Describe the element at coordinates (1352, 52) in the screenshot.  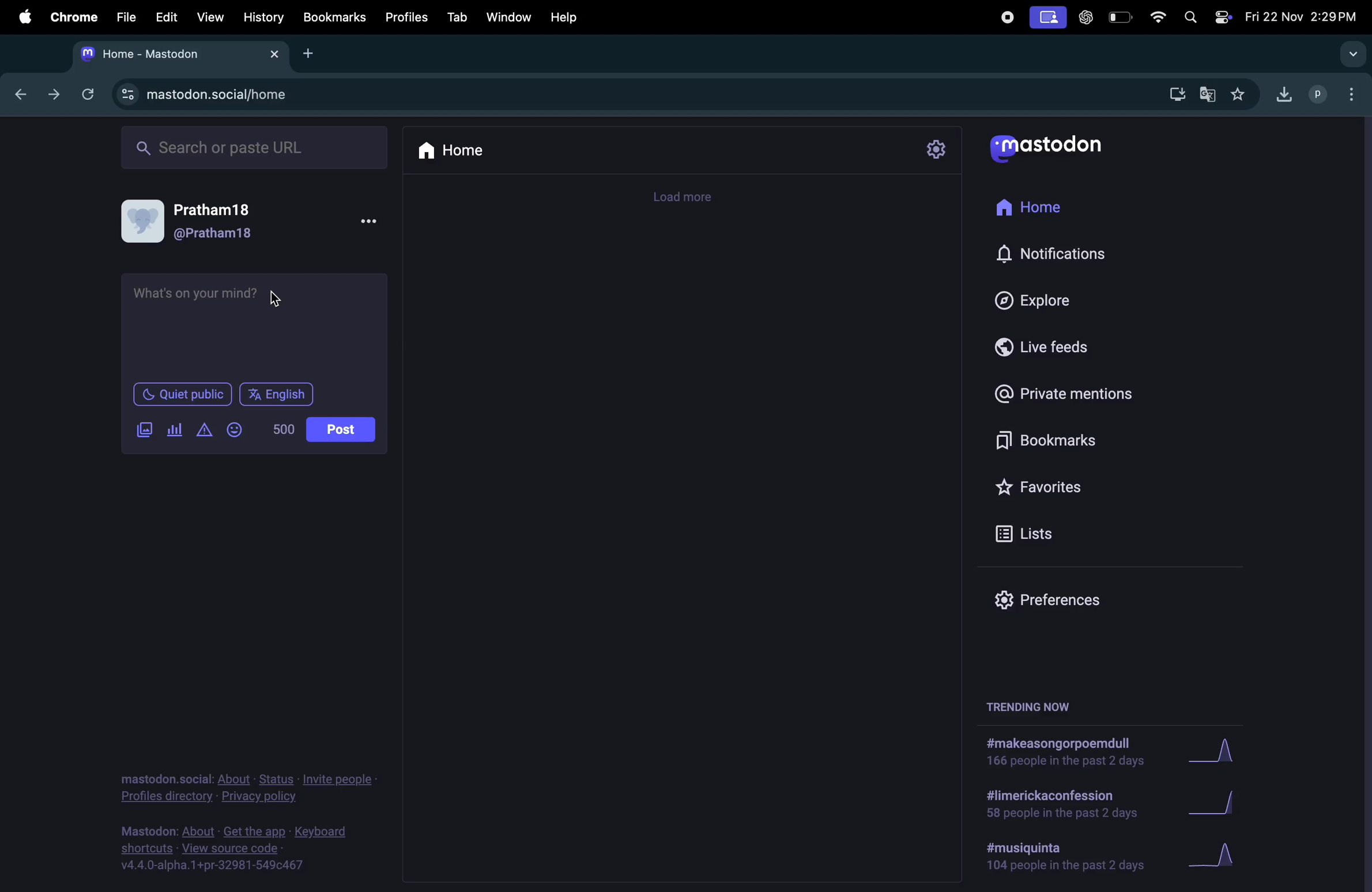
I see `search tab` at that location.